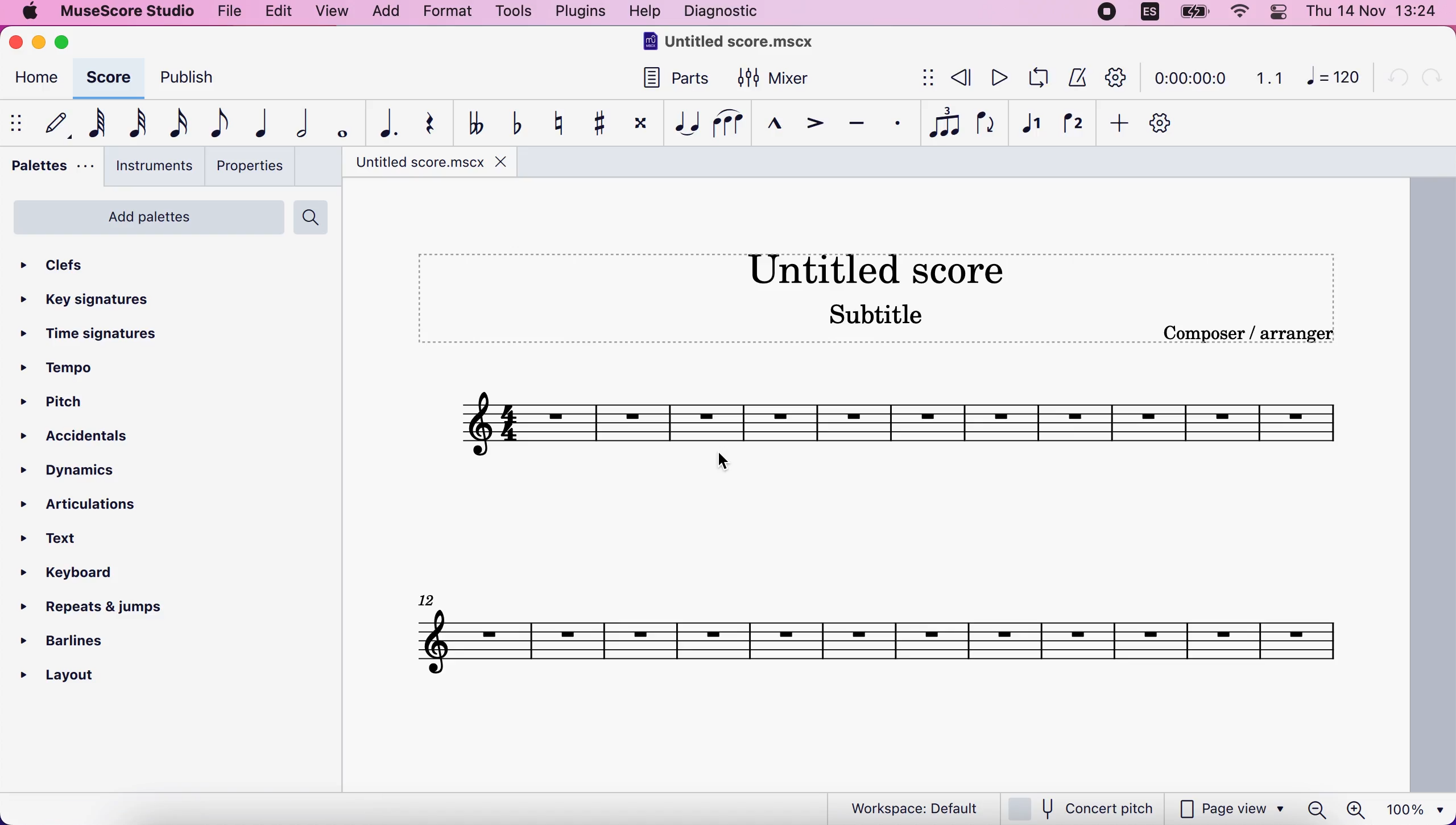 This screenshot has width=1456, height=825. I want to click on key signatures, so click(97, 299).